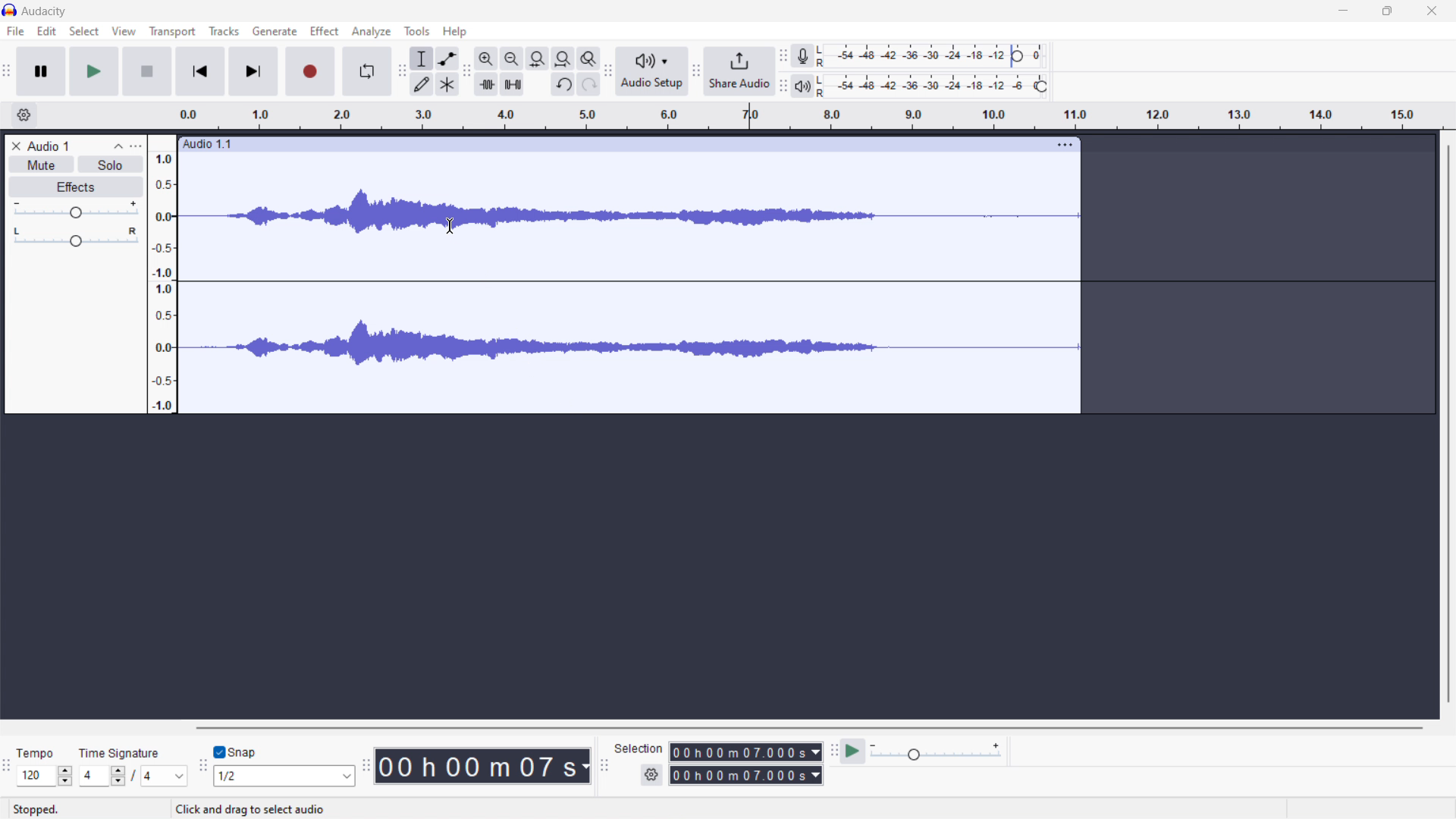 The height and width of the screenshot is (819, 1456). Describe the element at coordinates (16, 31) in the screenshot. I see `file` at that location.